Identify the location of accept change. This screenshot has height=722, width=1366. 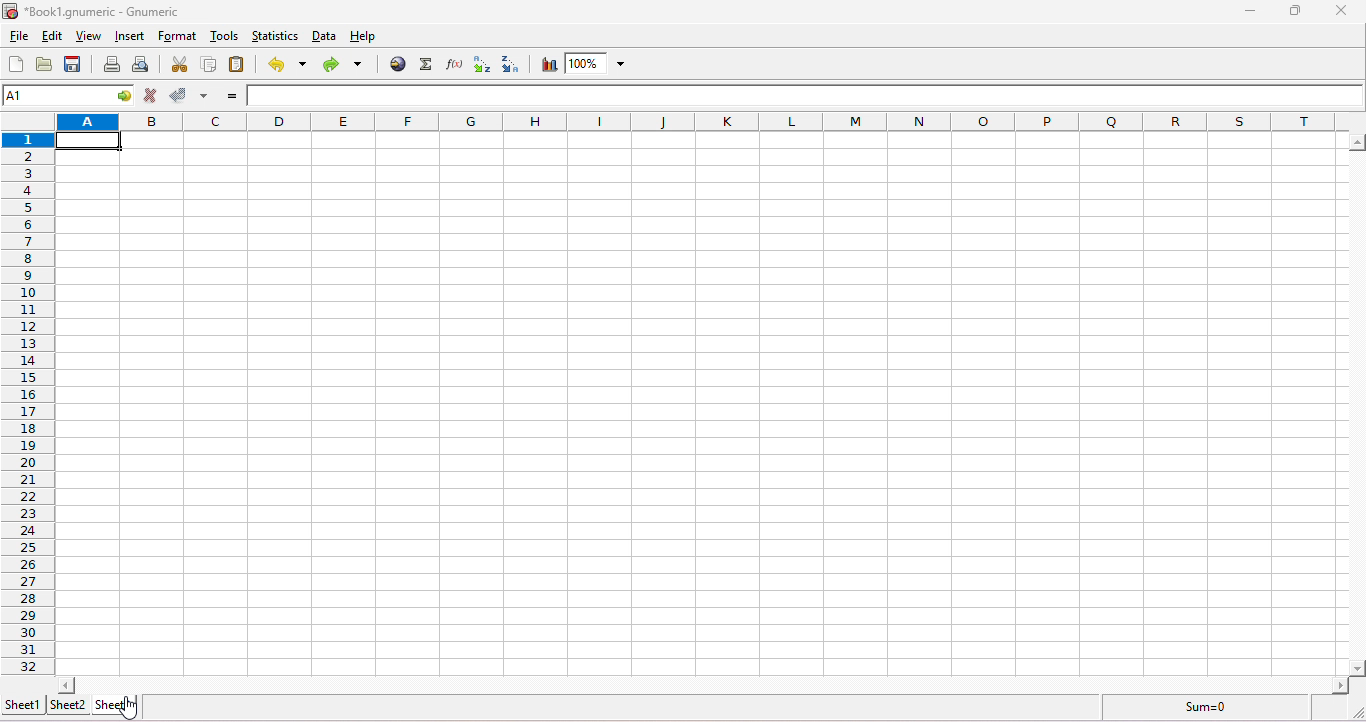
(190, 95).